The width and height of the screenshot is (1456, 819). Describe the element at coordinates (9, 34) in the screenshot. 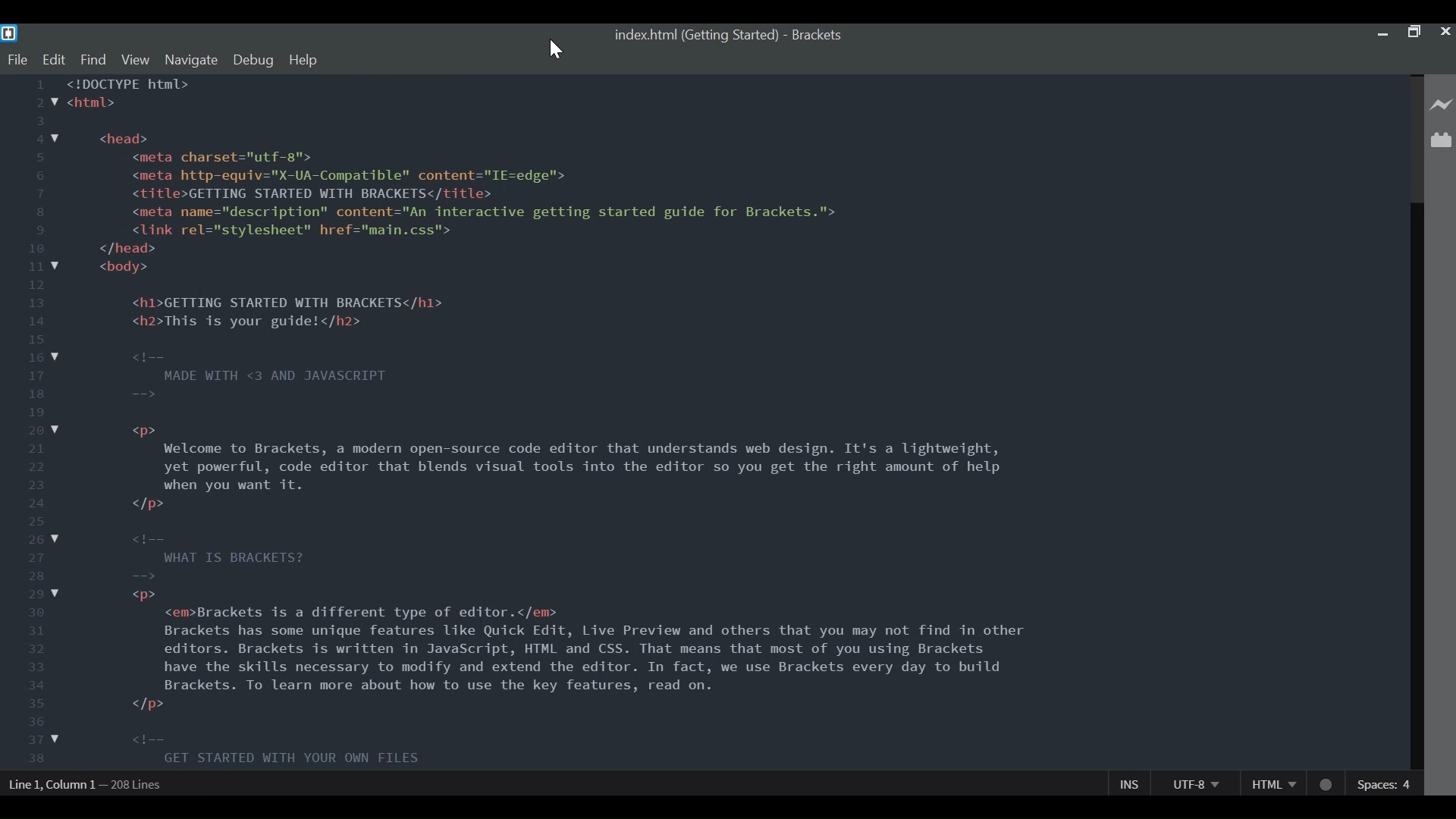

I see `Brackets Desktop icon` at that location.